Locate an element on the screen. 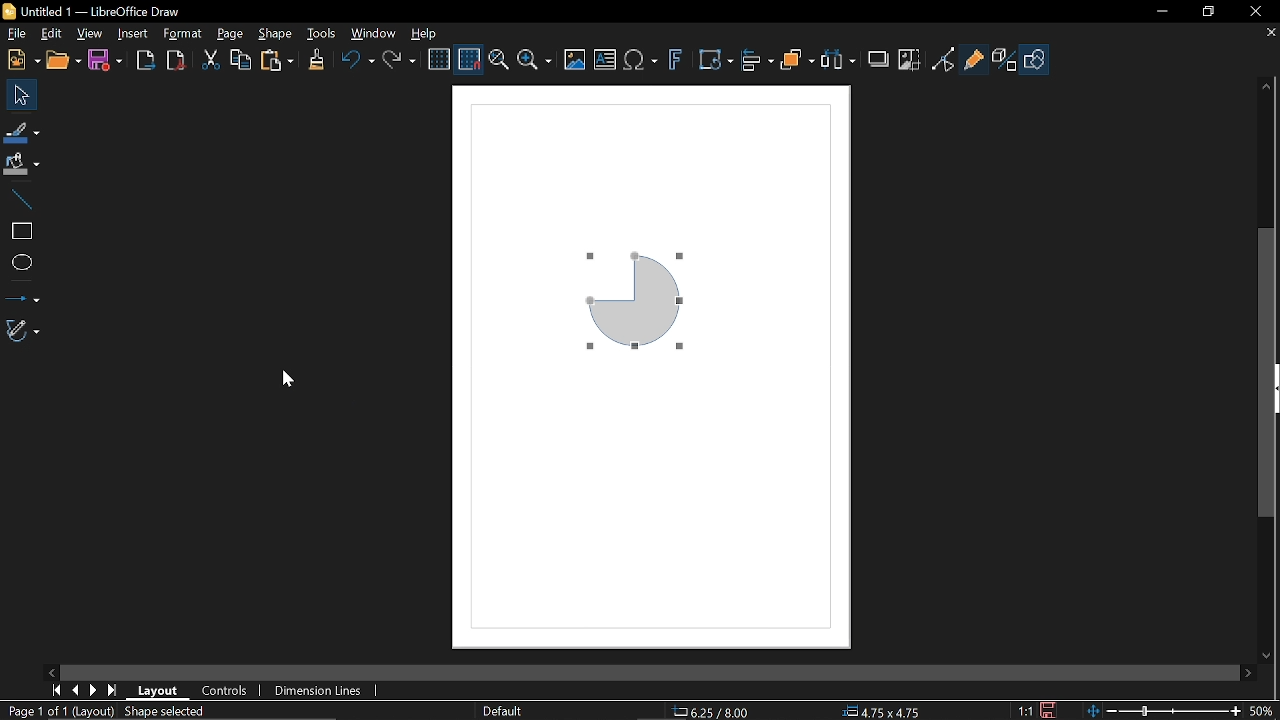  open is located at coordinates (63, 61).